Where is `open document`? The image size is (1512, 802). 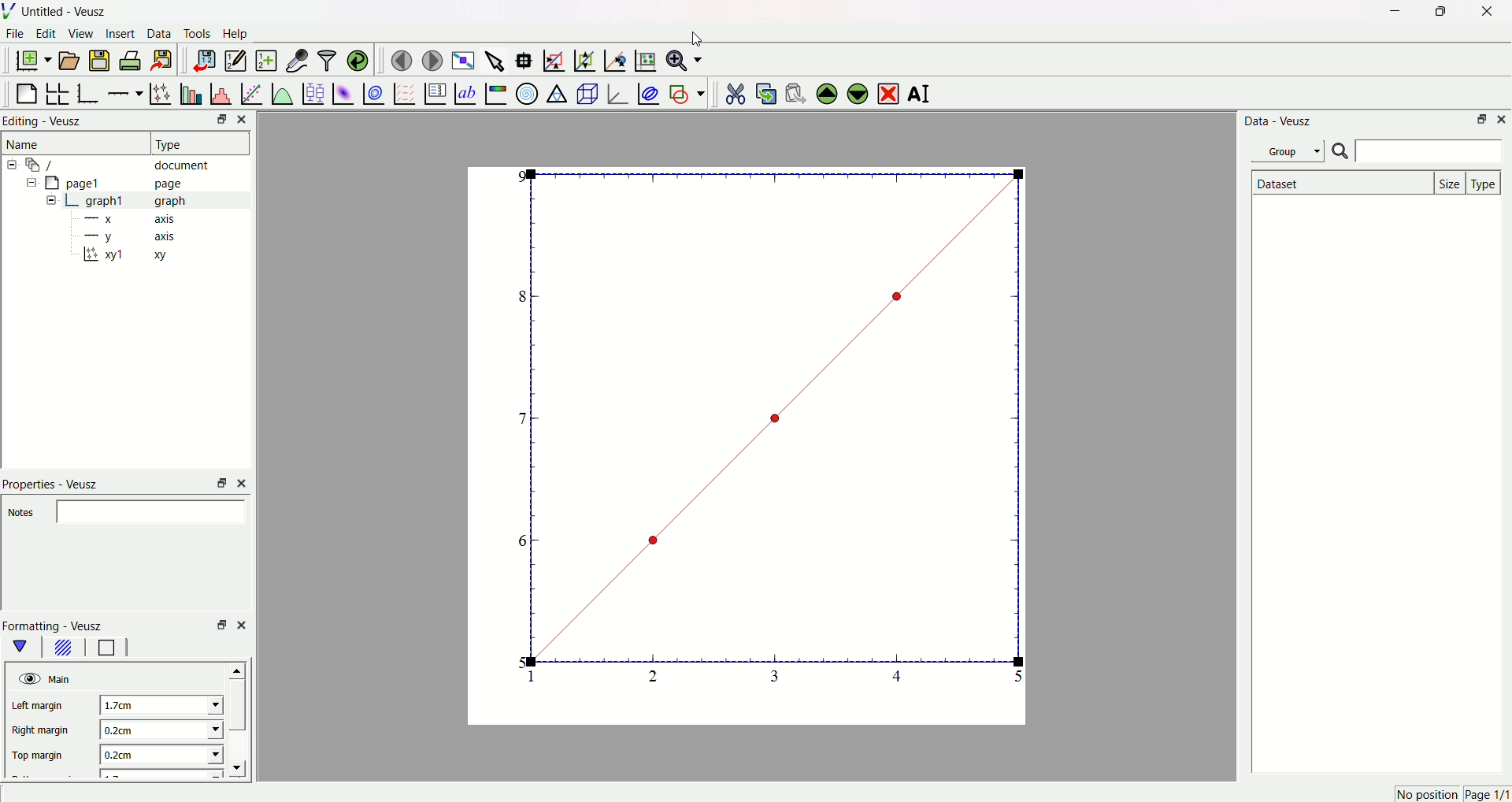
open document is located at coordinates (70, 60).